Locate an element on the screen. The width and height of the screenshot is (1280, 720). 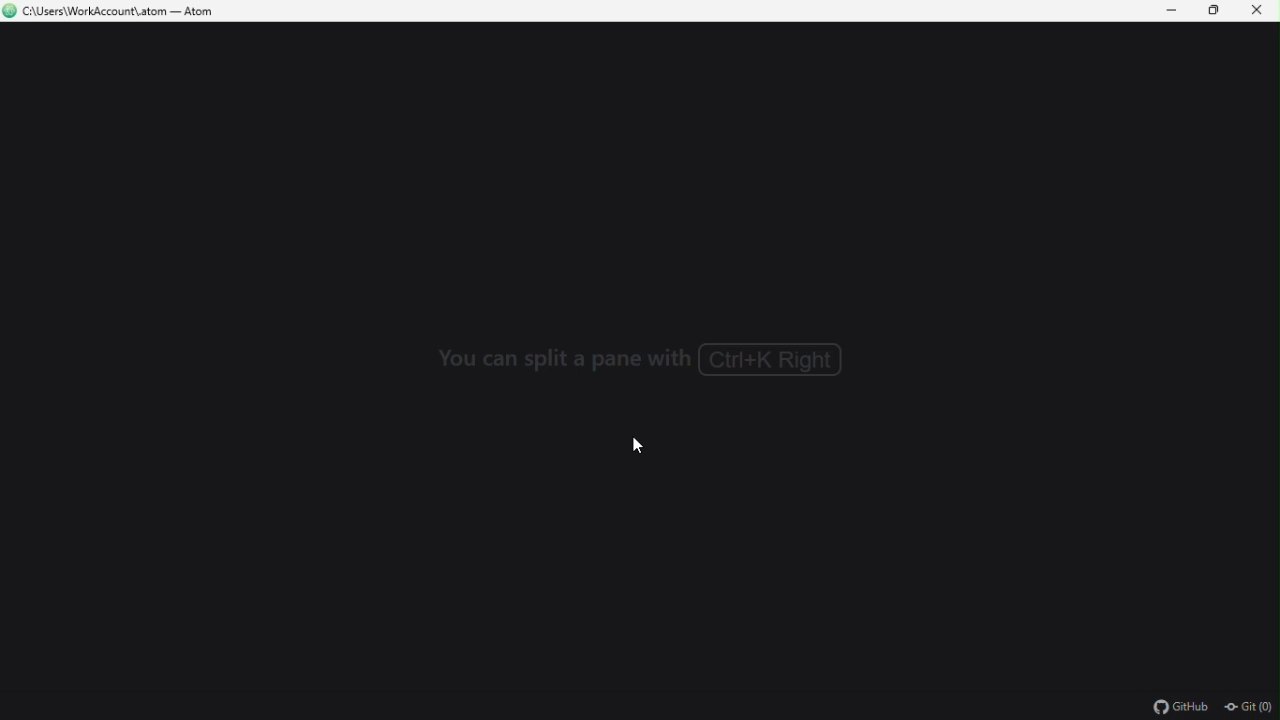
Git is located at coordinates (1249, 706).